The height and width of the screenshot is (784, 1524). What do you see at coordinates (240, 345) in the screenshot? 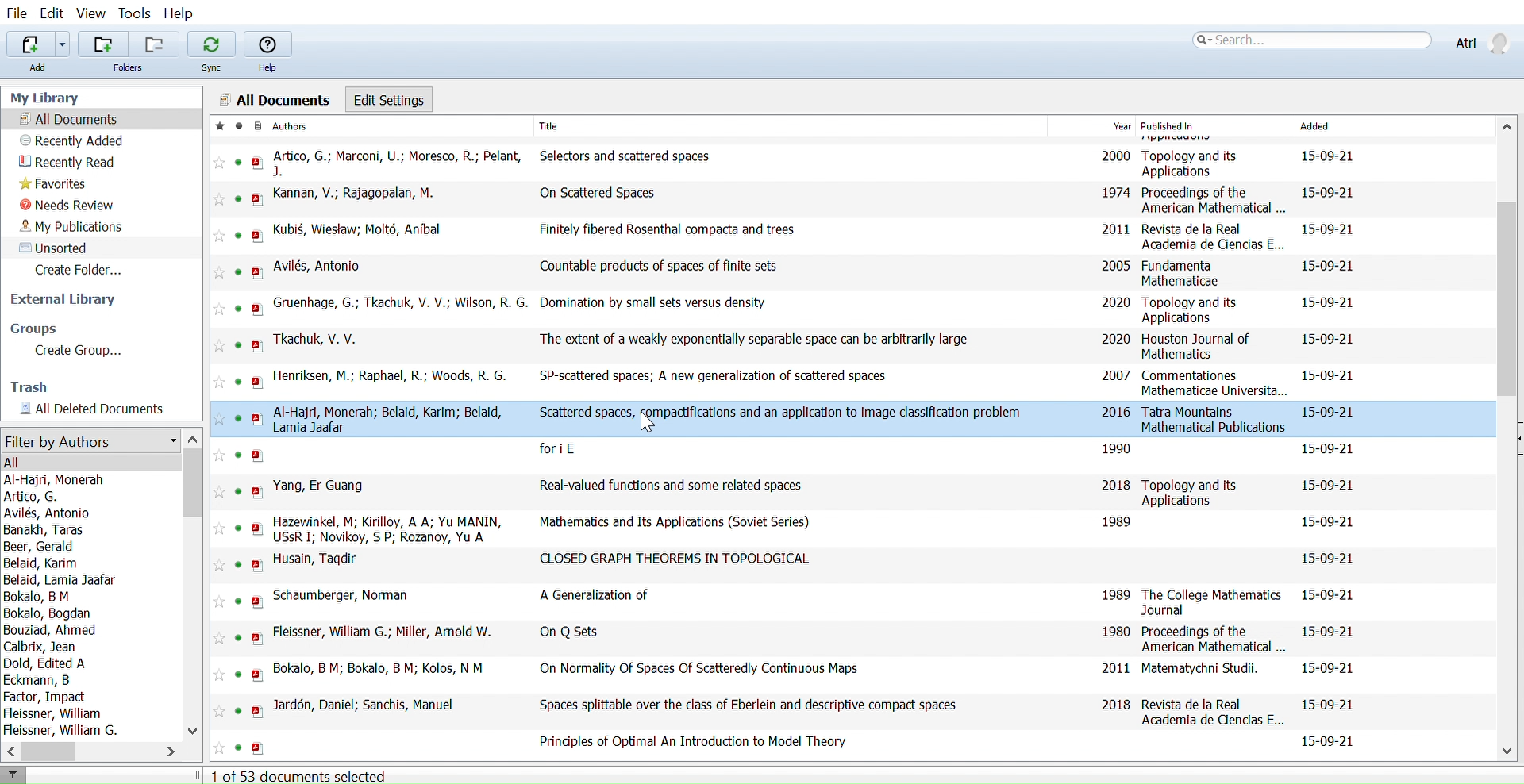
I see `Reading status` at bounding box center [240, 345].